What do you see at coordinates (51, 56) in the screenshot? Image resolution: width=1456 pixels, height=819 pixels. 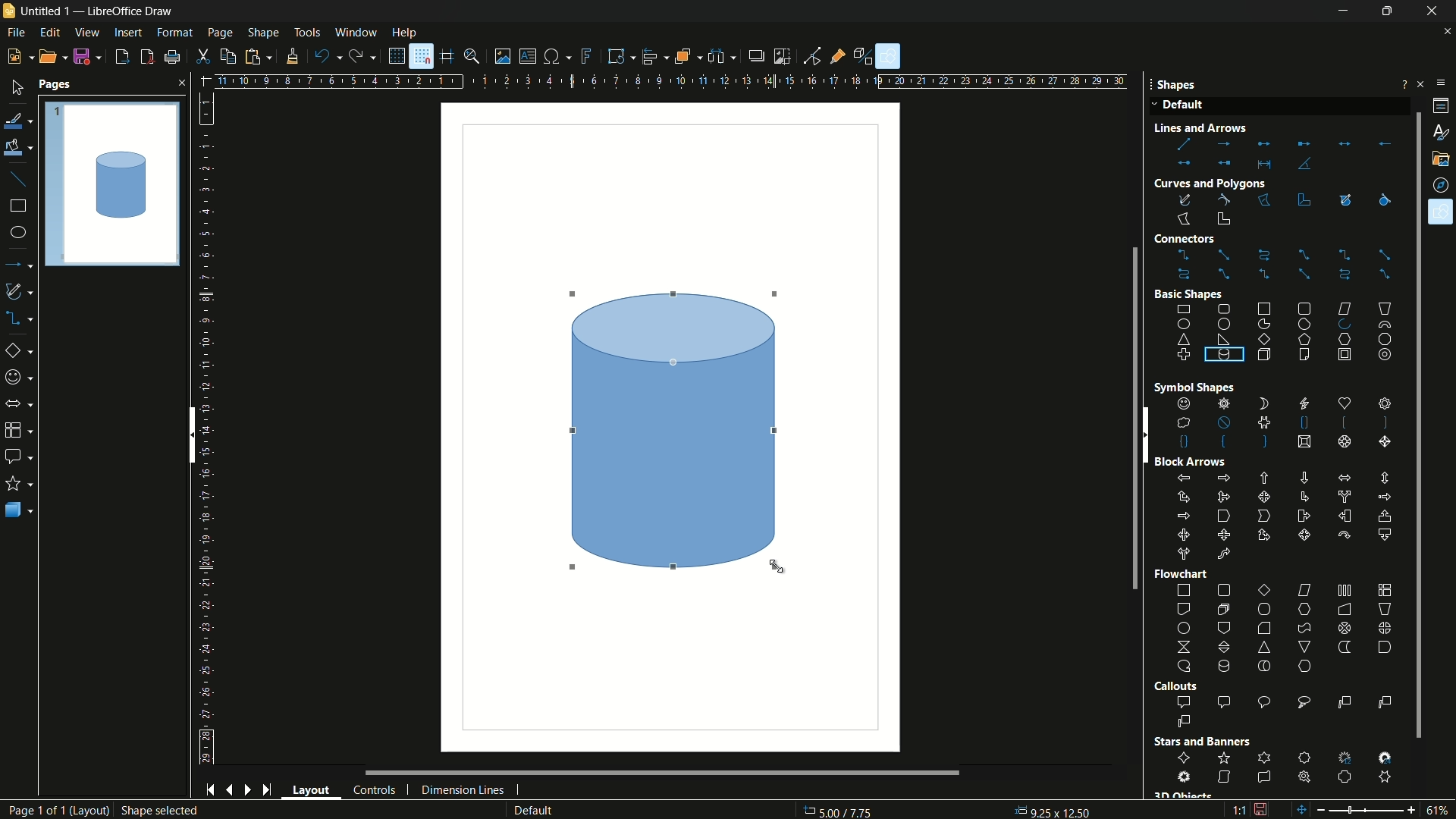 I see `open file` at bounding box center [51, 56].